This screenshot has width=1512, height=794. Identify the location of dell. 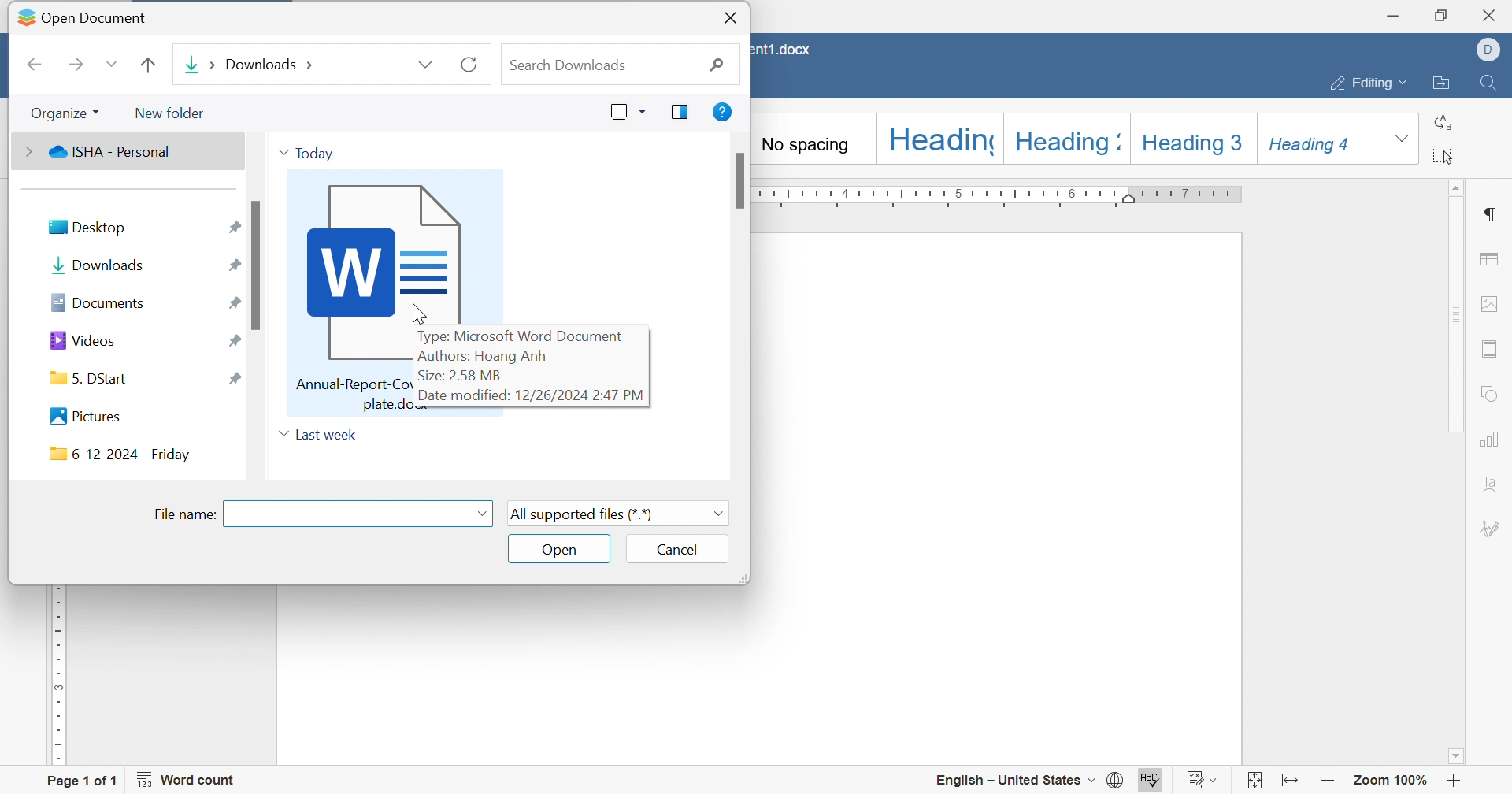
(1490, 51).